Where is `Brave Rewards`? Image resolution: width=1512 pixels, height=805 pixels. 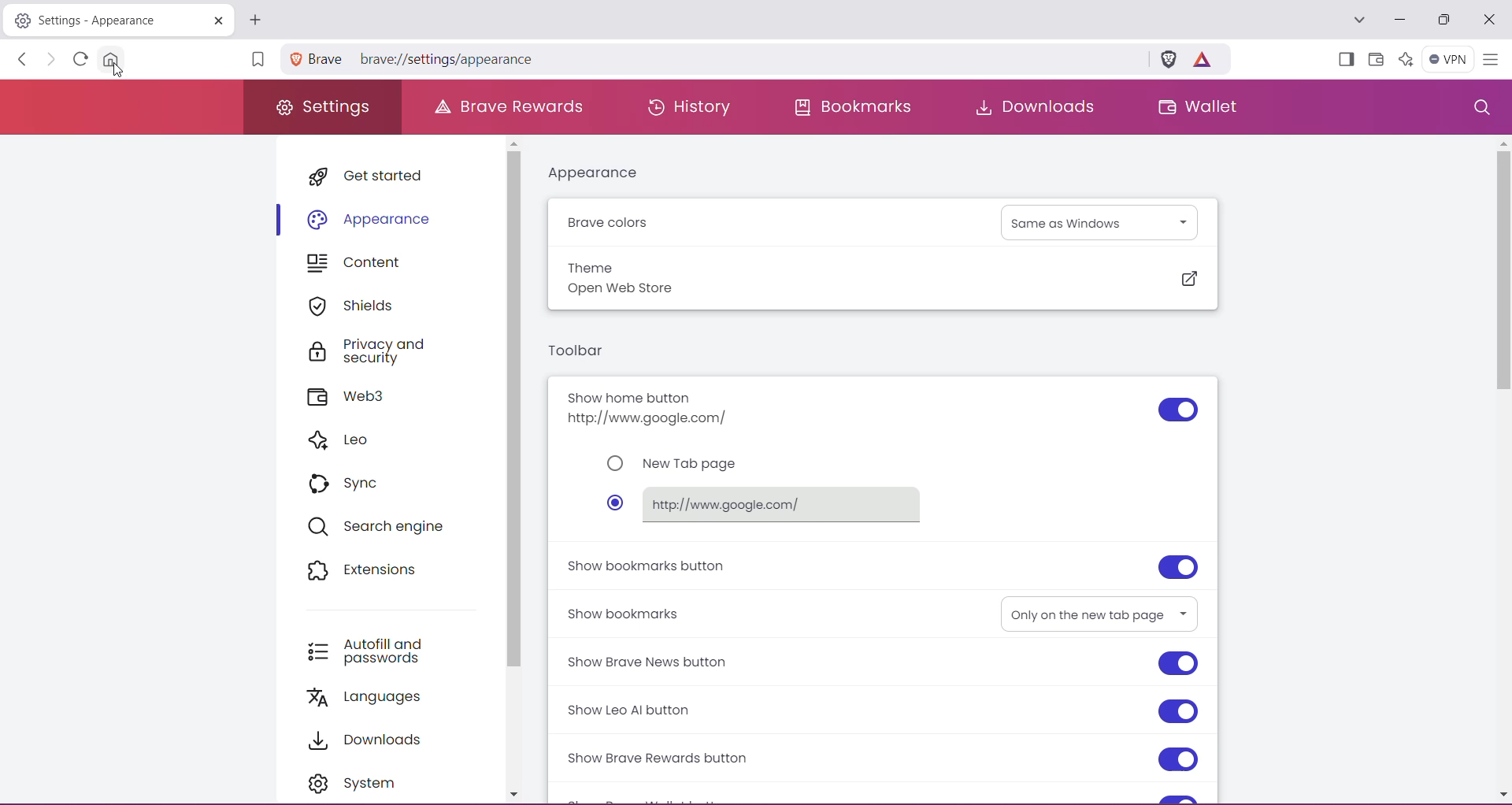 Brave Rewards is located at coordinates (512, 106).